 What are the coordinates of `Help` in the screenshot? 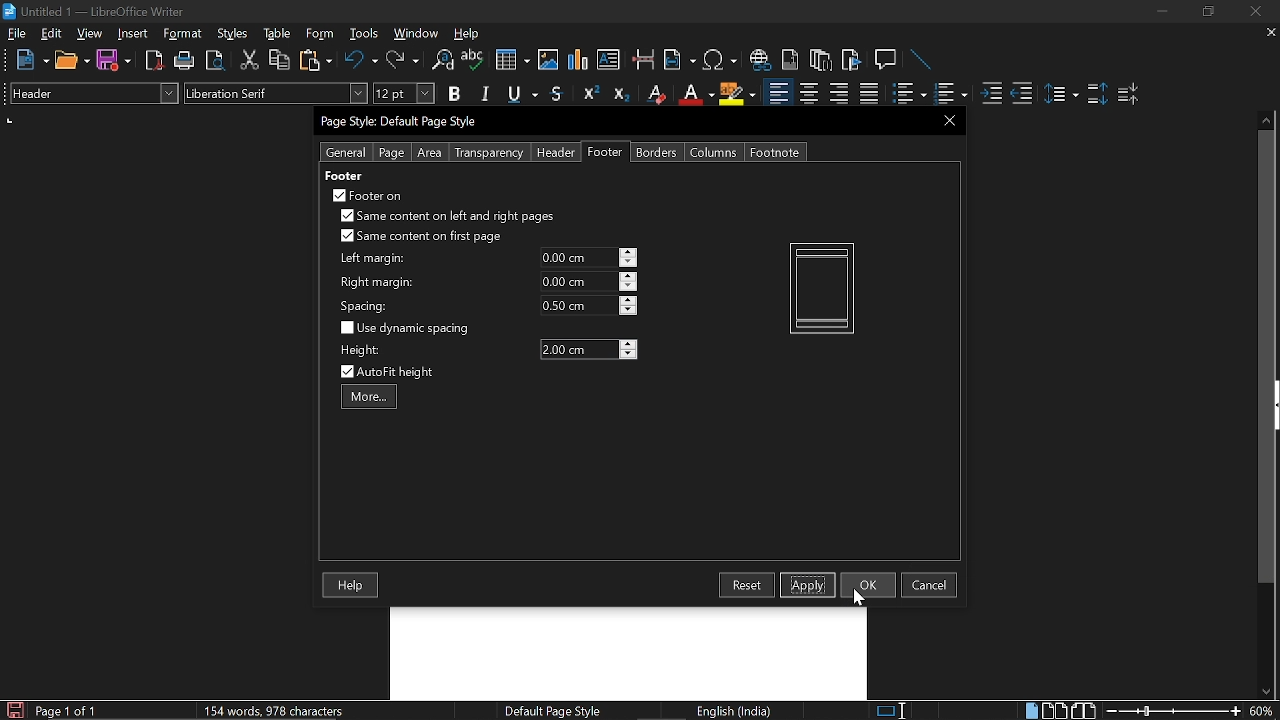 It's located at (352, 586).